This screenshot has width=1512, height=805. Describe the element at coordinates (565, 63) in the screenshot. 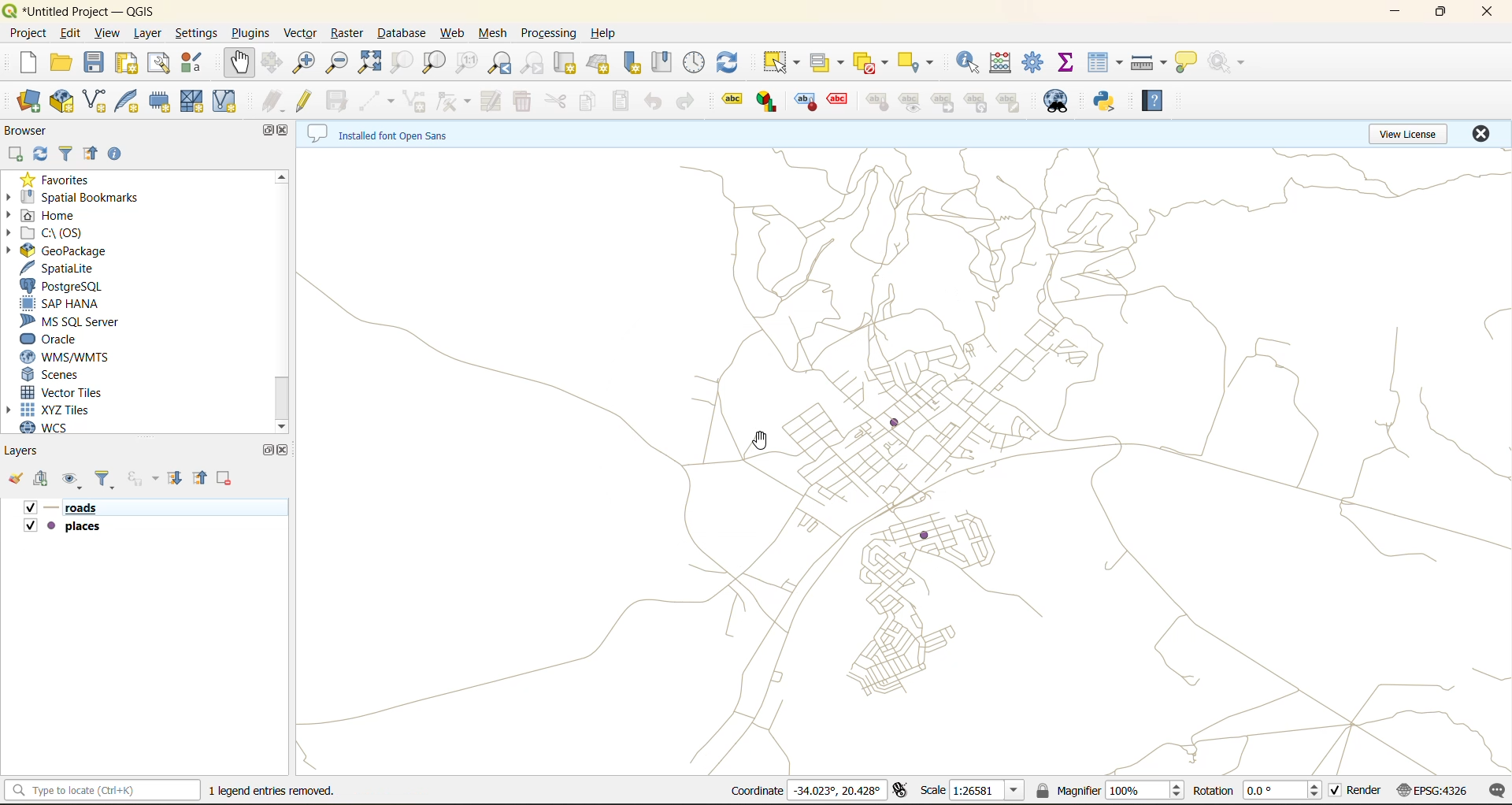

I see `new map view` at that location.